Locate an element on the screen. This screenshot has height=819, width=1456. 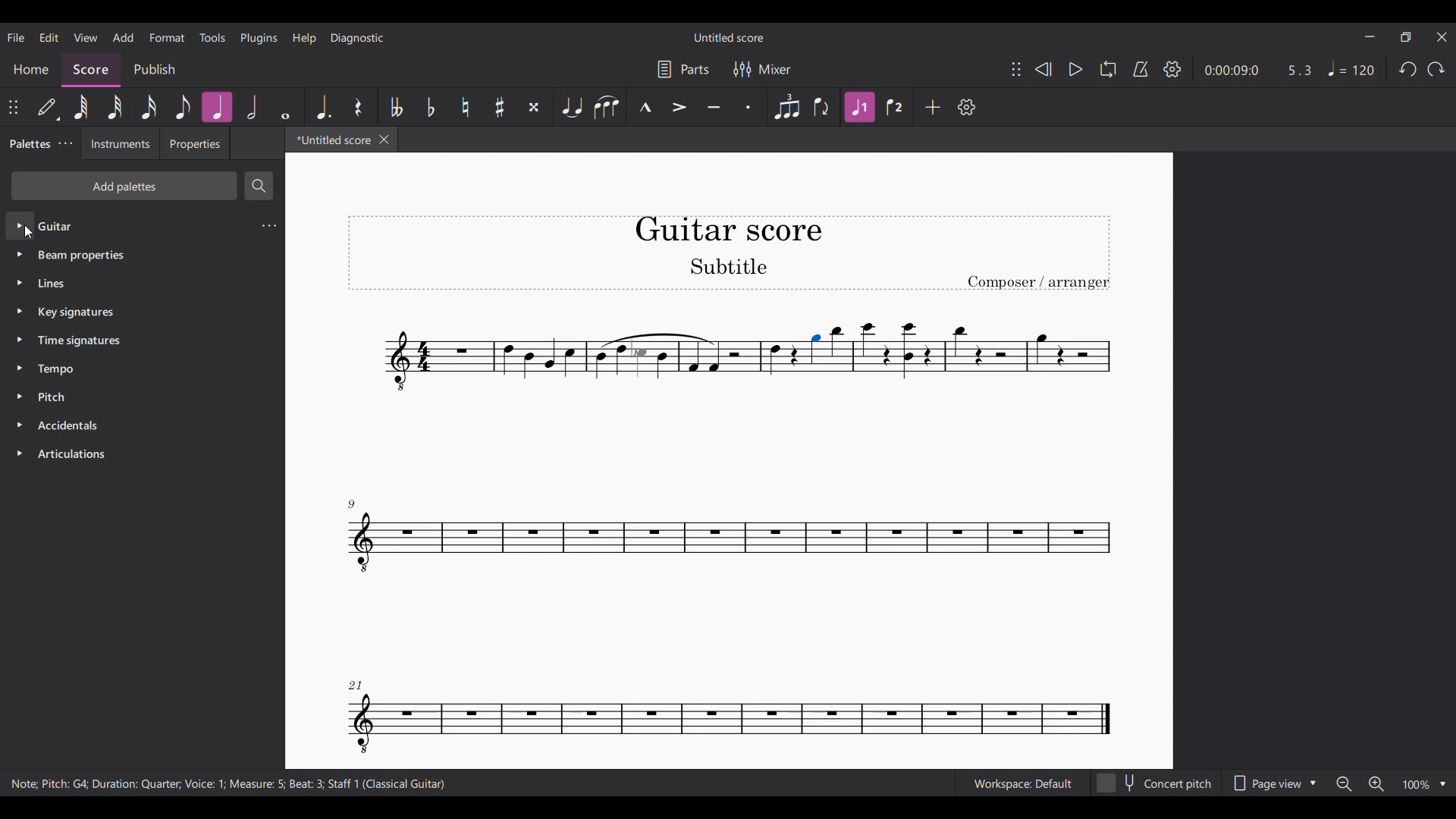
Mixer settings is located at coordinates (762, 69).